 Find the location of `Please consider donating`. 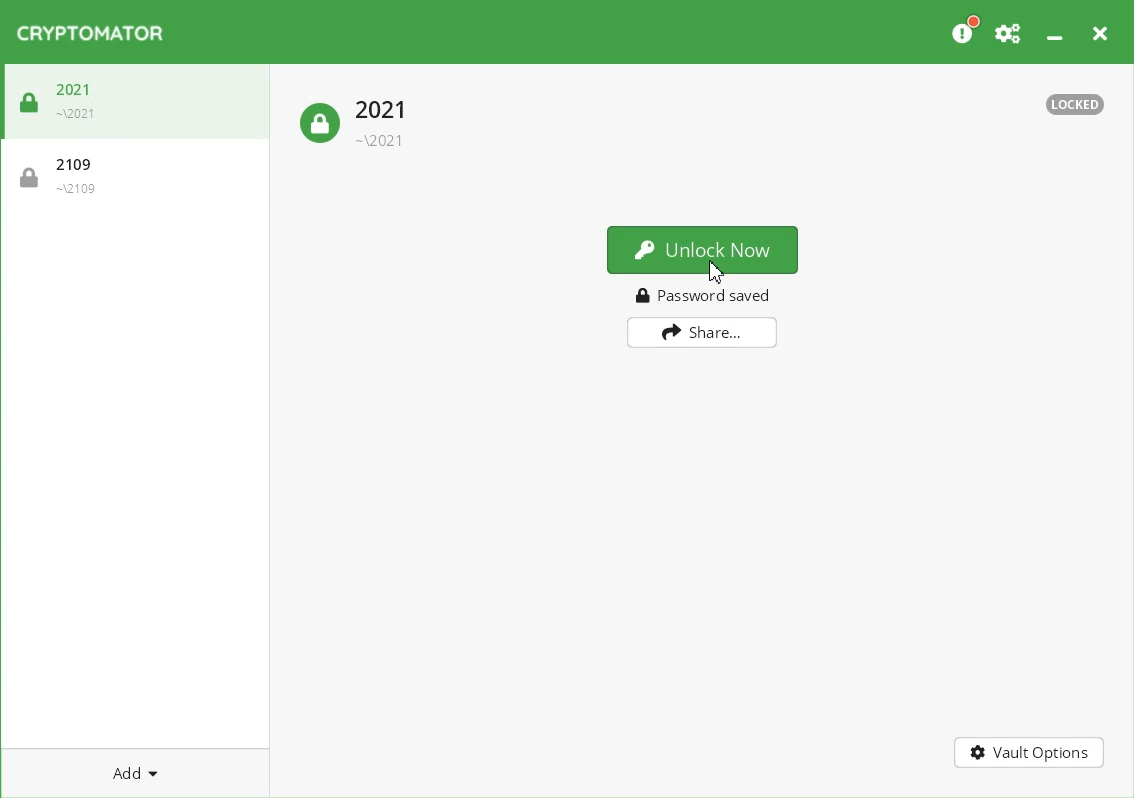

Please consider donating is located at coordinates (964, 32).